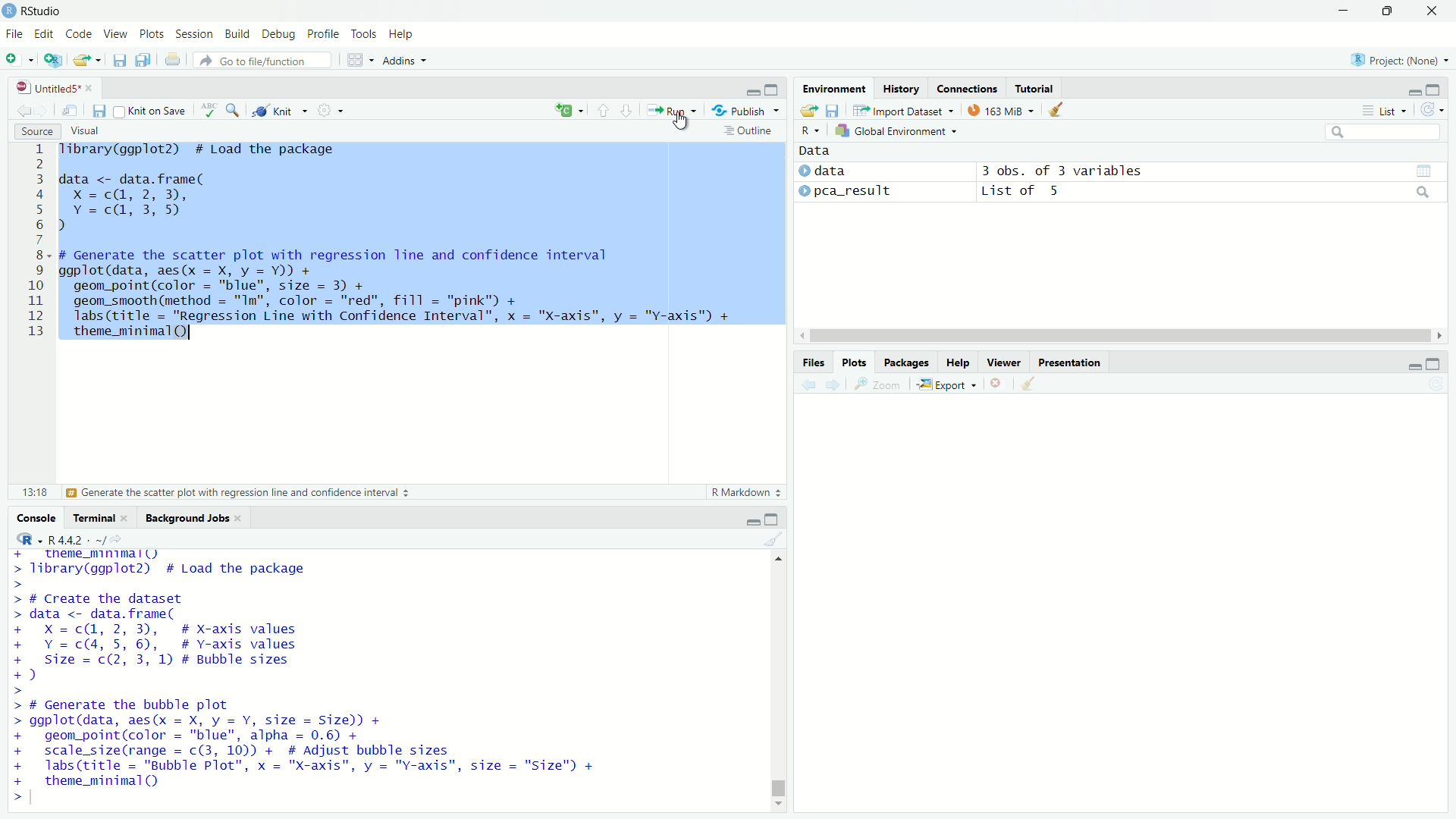 The image size is (1456, 819). Describe the element at coordinates (96, 60) in the screenshot. I see `Open recent files` at that location.